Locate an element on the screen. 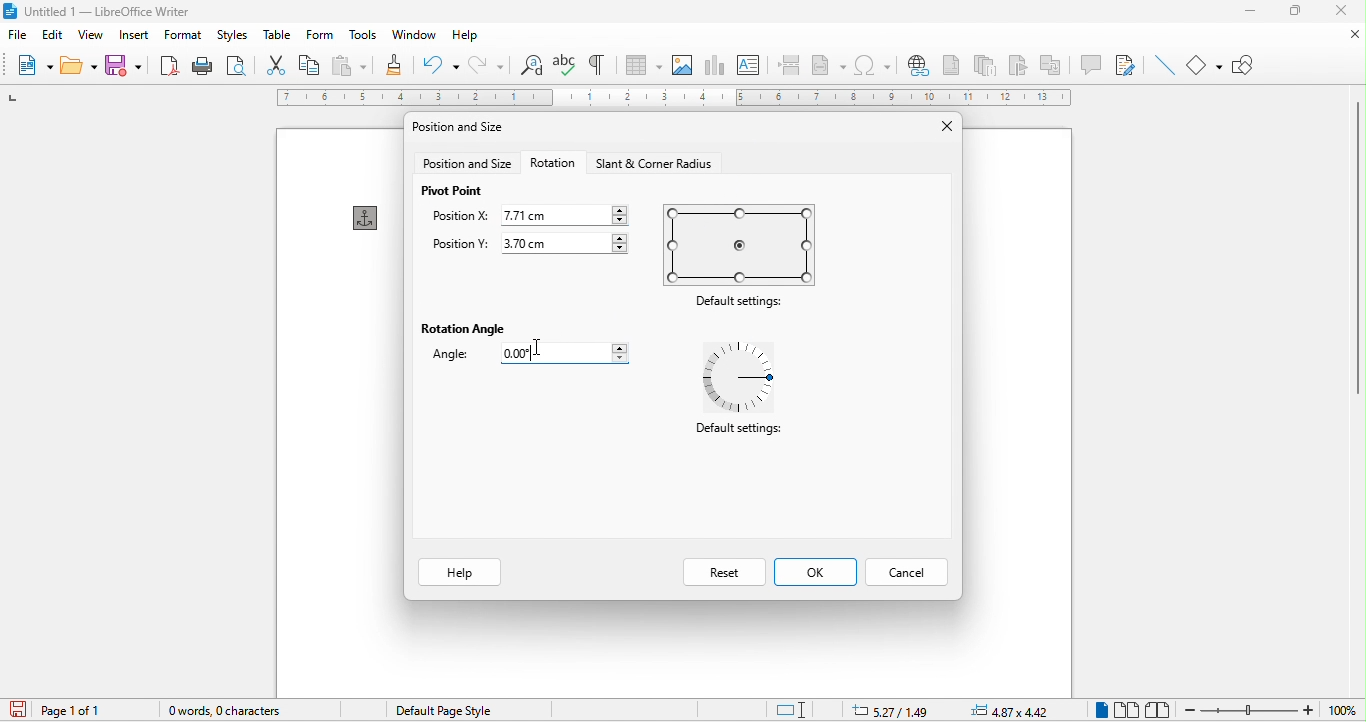  3.70 cm is located at coordinates (566, 243).